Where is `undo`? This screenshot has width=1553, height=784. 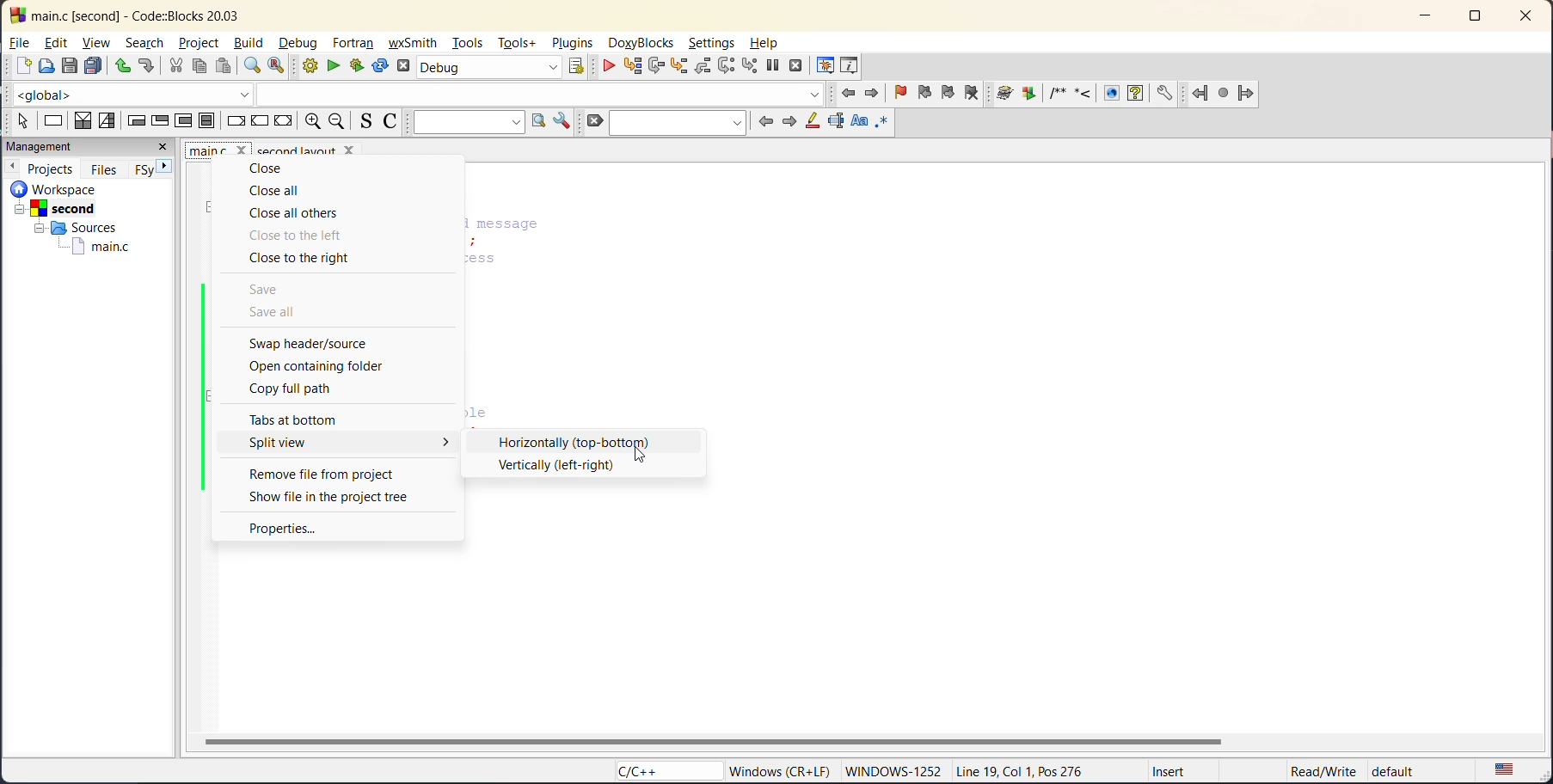 undo is located at coordinates (122, 67).